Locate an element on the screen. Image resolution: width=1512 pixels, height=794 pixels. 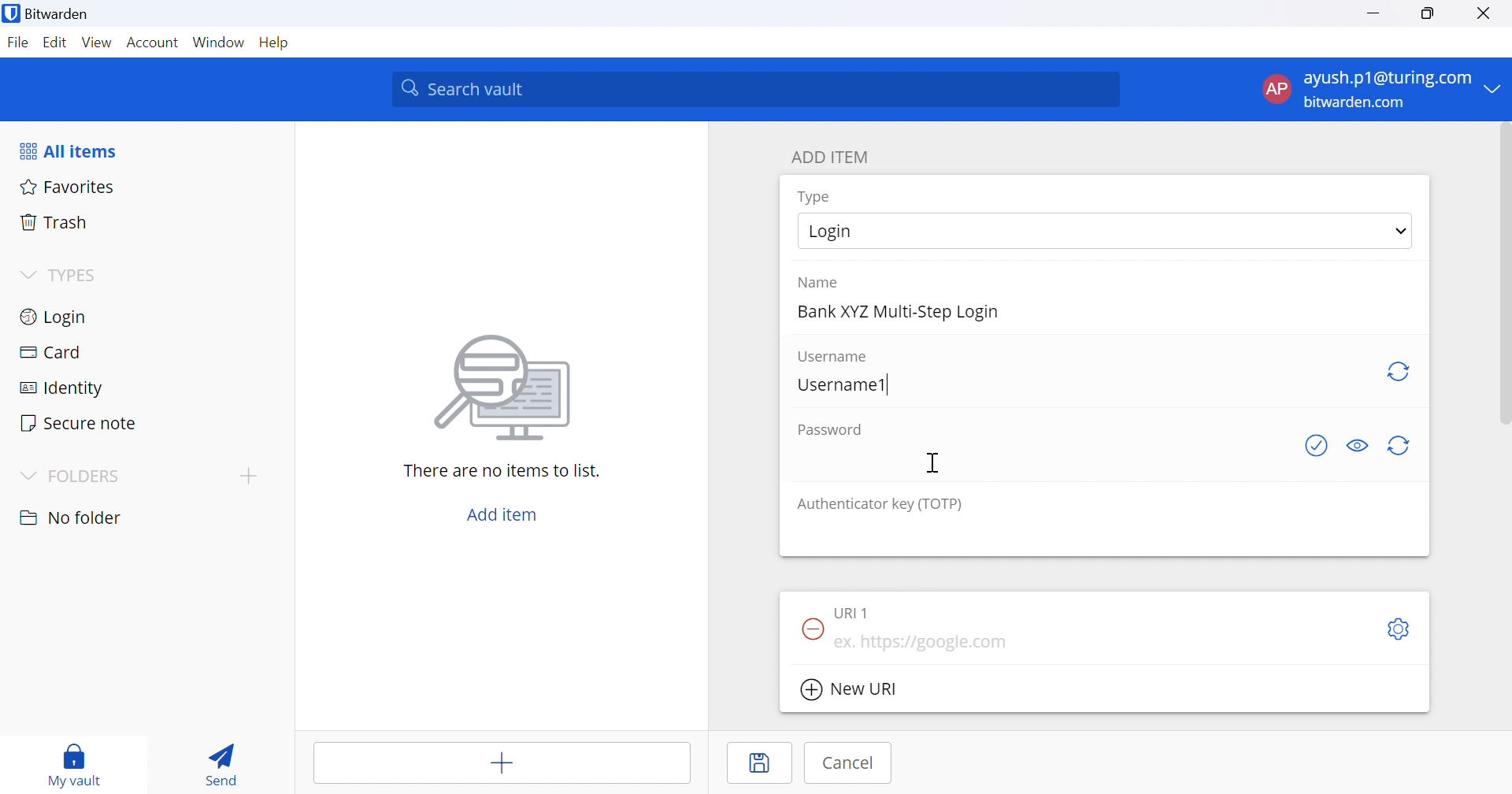
Username is located at coordinates (834, 357).